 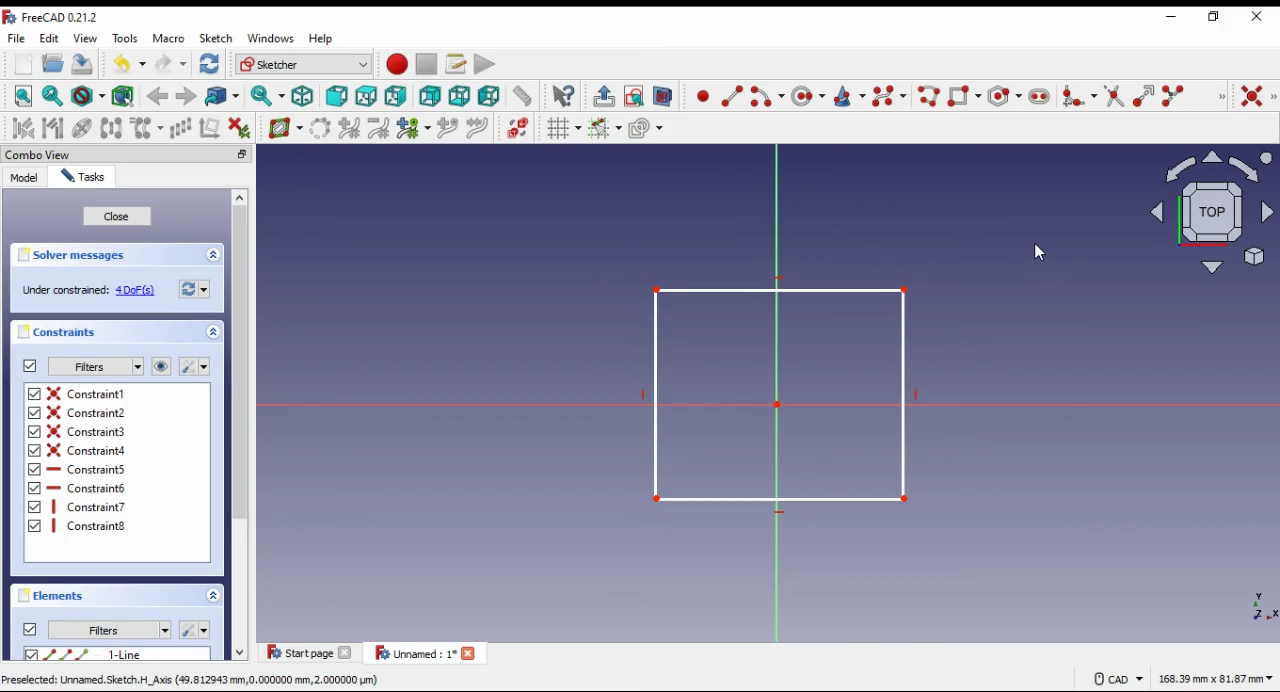 I want to click on refresh, so click(x=195, y=288).